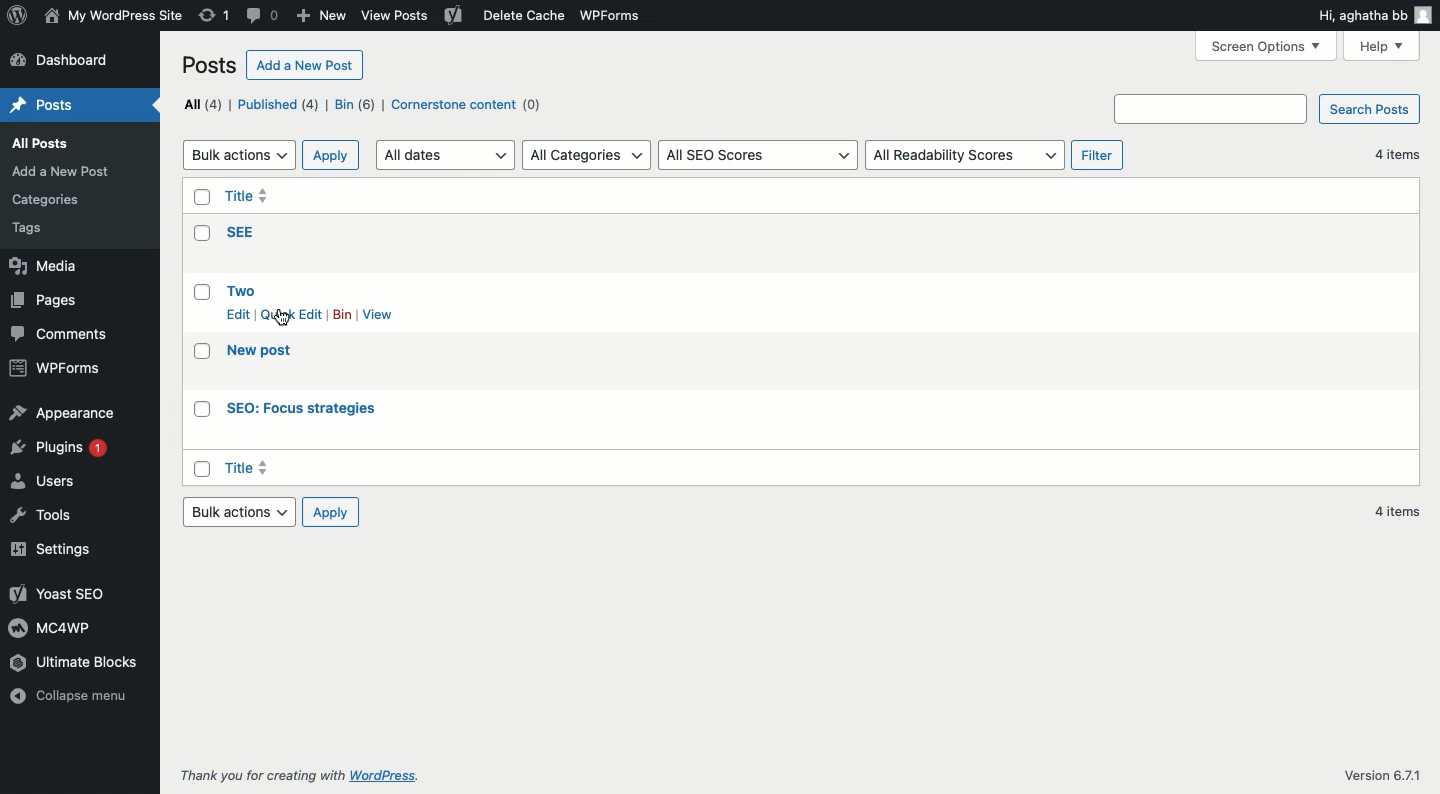 Image resolution: width=1440 pixels, height=794 pixels. I want to click on Checkbox, so click(201, 233).